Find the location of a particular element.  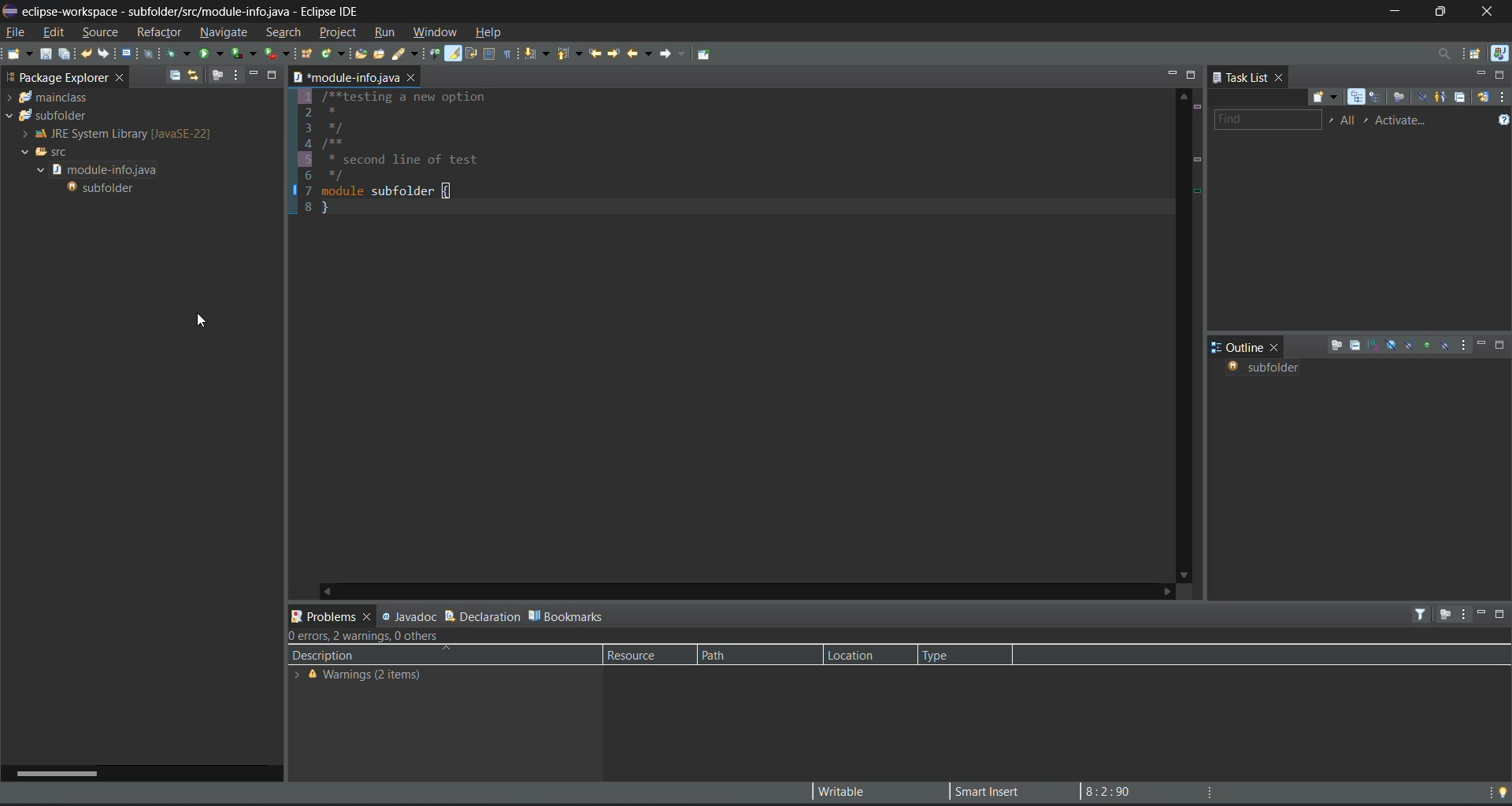

filters is located at coordinates (1423, 614).